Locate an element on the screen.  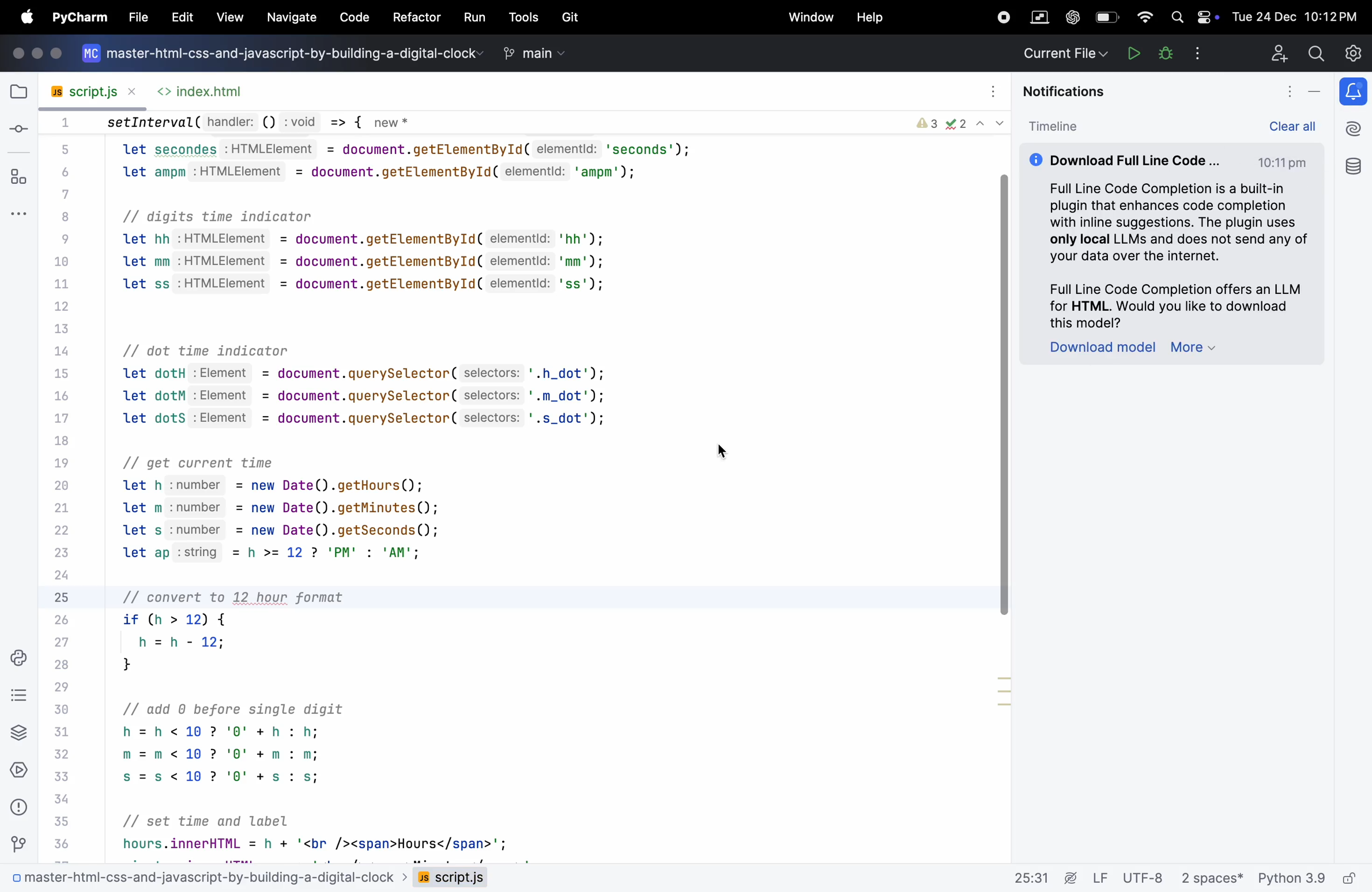
python 3.9 is located at coordinates (1312, 879).